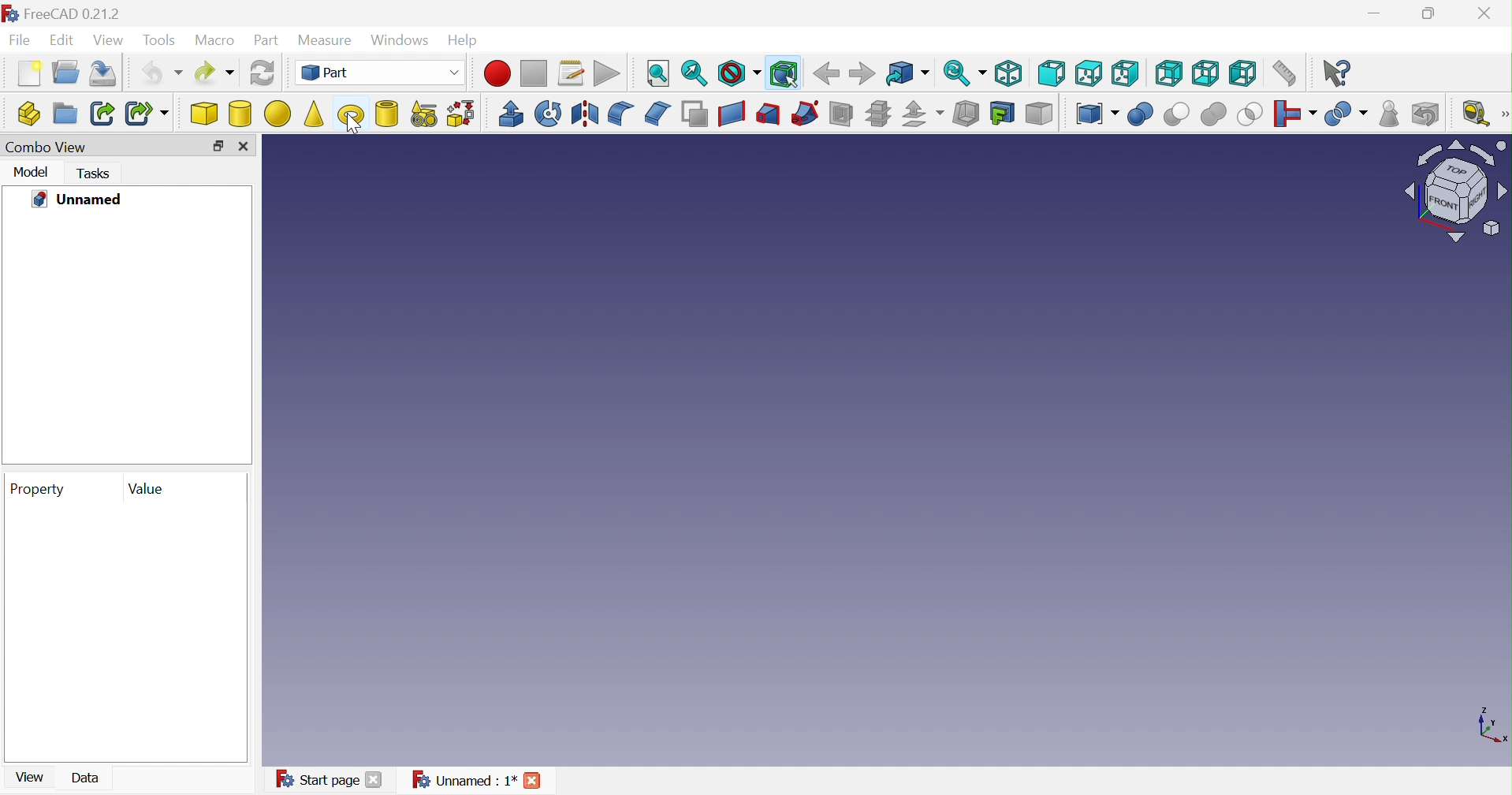 This screenshot has width=1512, height=795. Describe the element at coordinates (123, 338) in the screenshot. I see `preview` at that location.